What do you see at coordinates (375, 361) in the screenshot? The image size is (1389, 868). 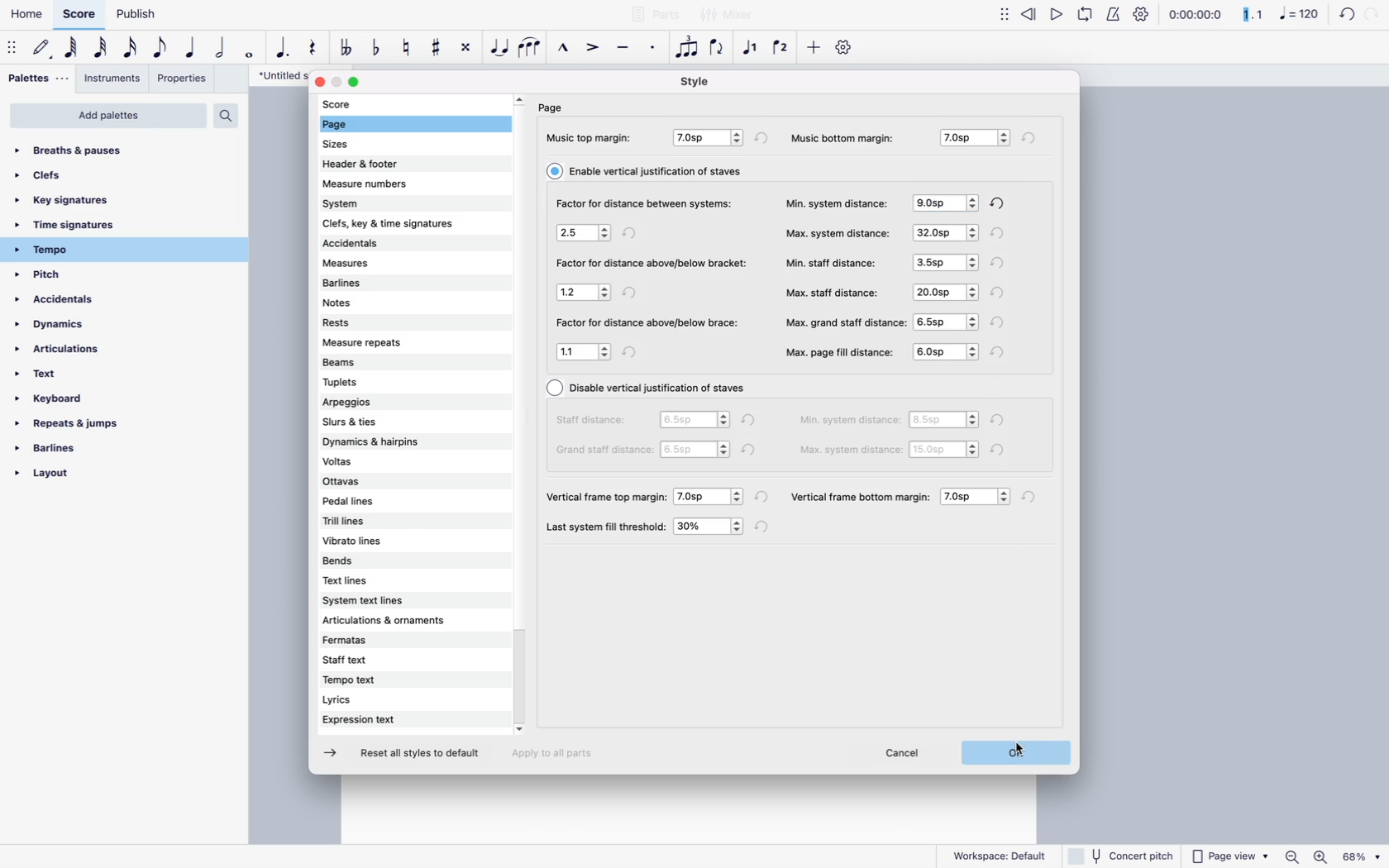 I see `beams` at bounding box center [375, 361].